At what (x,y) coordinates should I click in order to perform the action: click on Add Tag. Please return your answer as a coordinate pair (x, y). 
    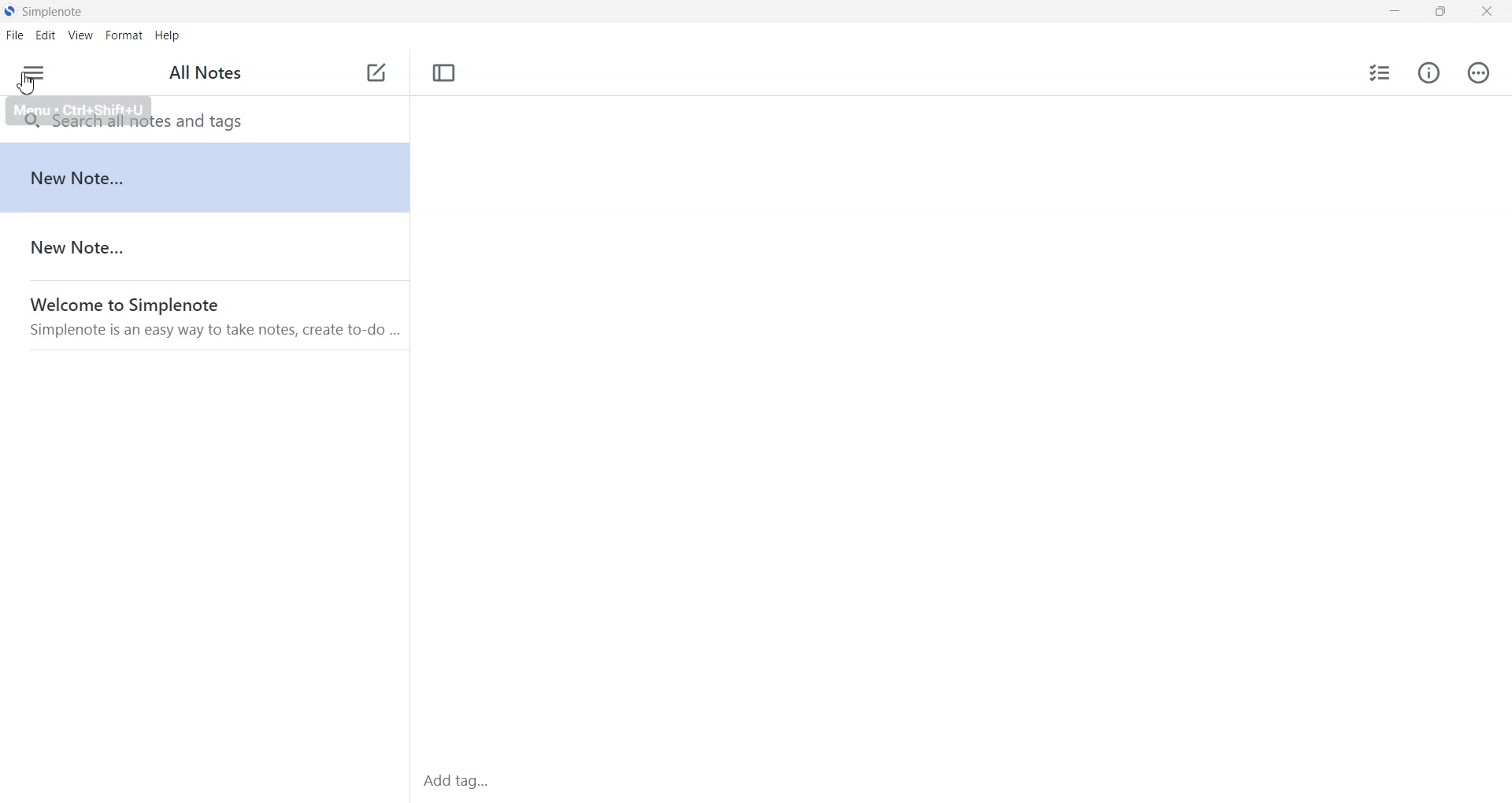
    Looking at the image, I should click on (456, 780).